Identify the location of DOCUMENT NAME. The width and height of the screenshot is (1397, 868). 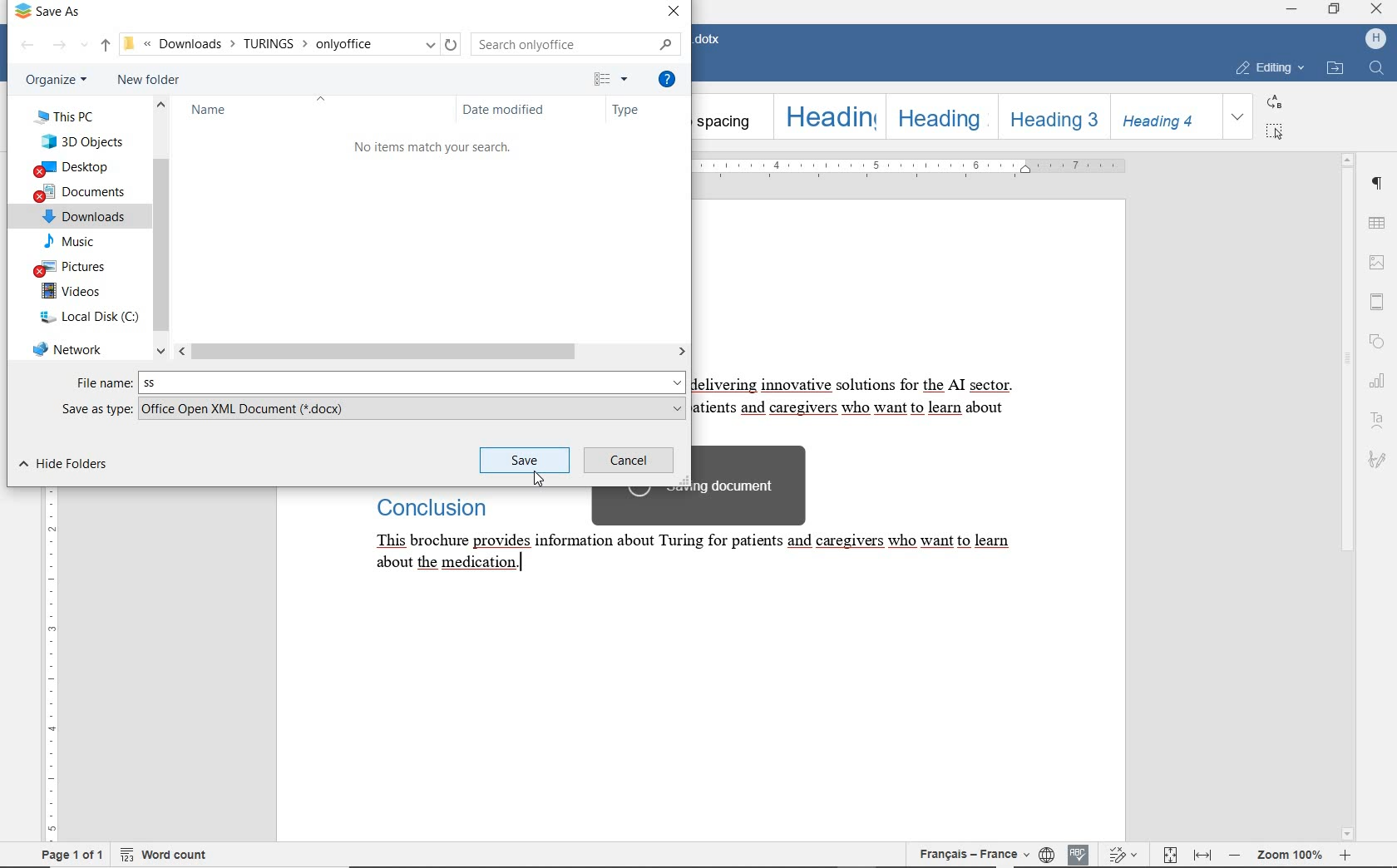
(712, 40).